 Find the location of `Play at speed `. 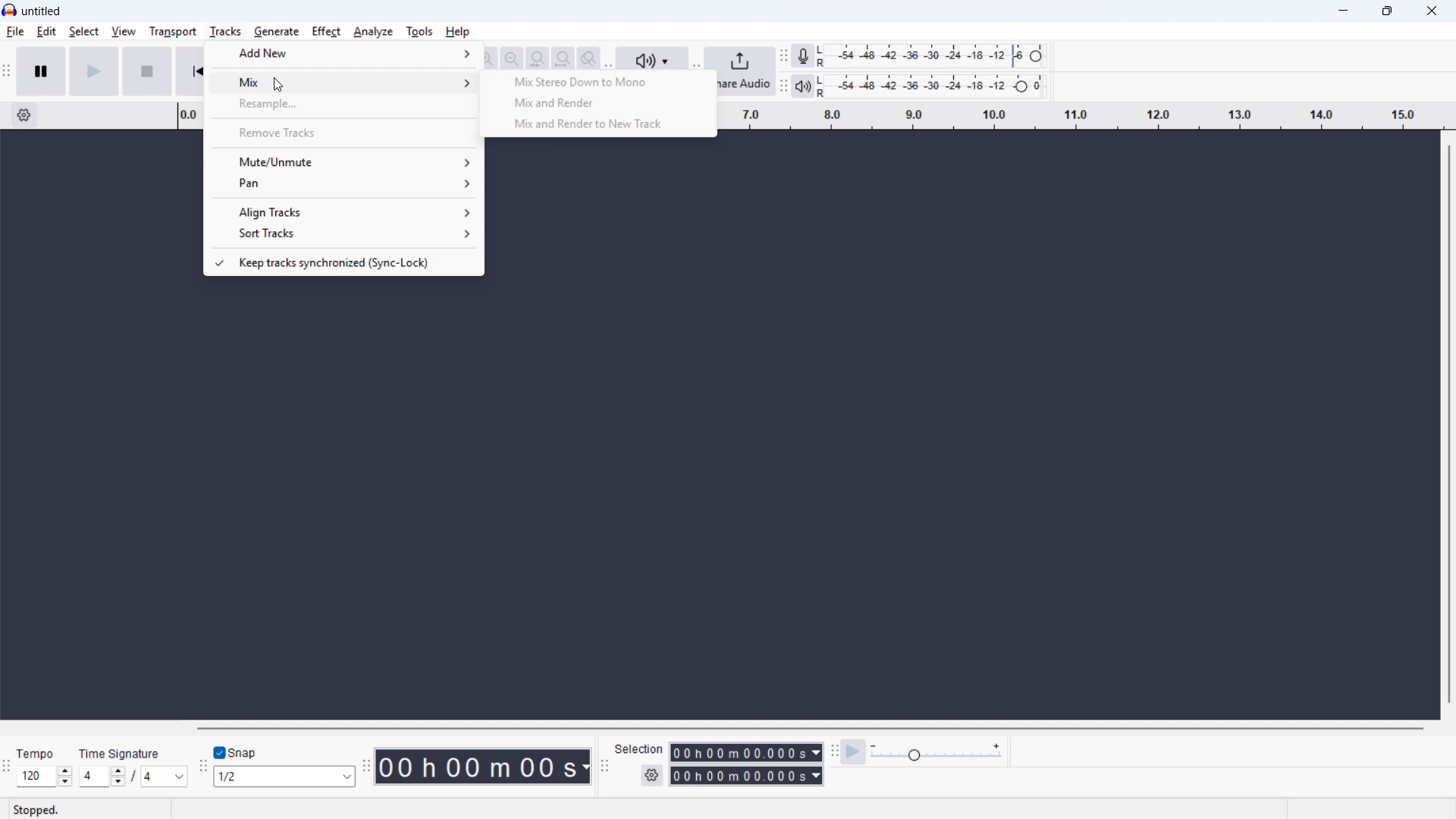

Play at speed  is located at coordinates (853, 753).